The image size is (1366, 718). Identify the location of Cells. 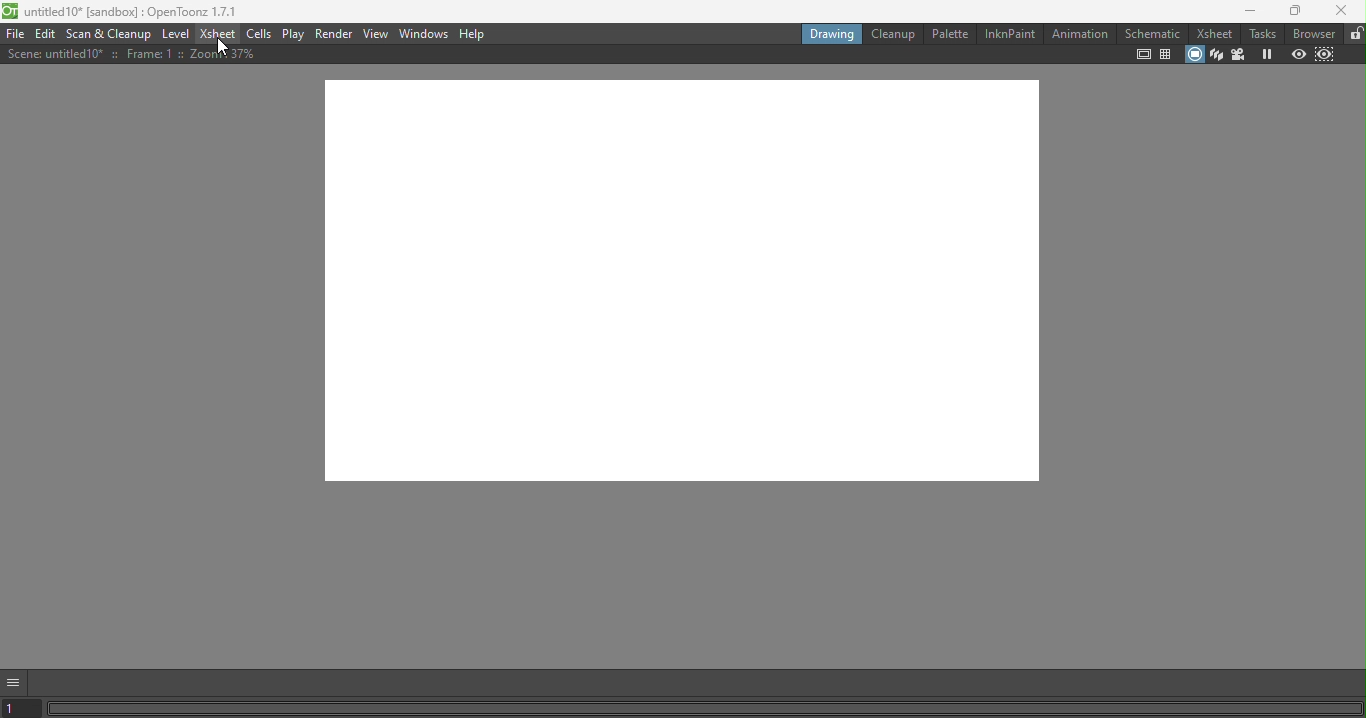
(260, 34).